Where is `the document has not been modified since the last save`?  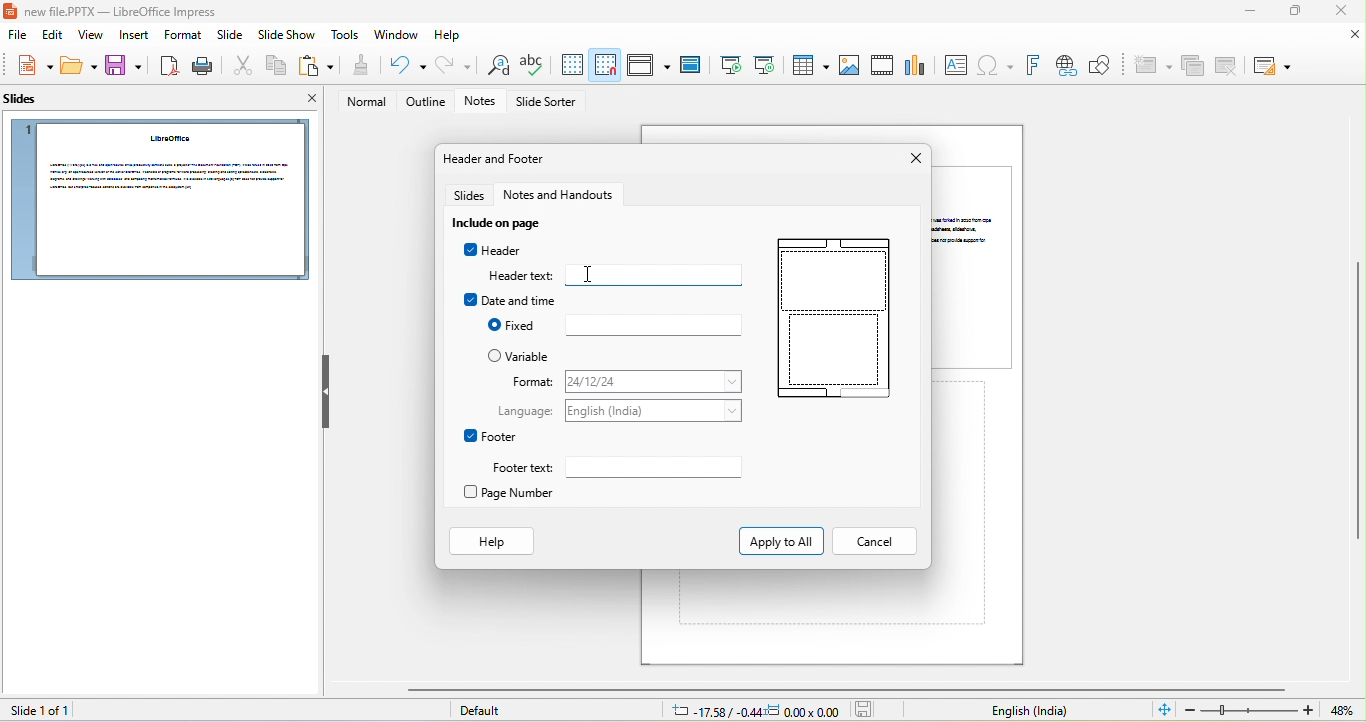
the document has not been modified since the last save is located at coordinates (869, 710).